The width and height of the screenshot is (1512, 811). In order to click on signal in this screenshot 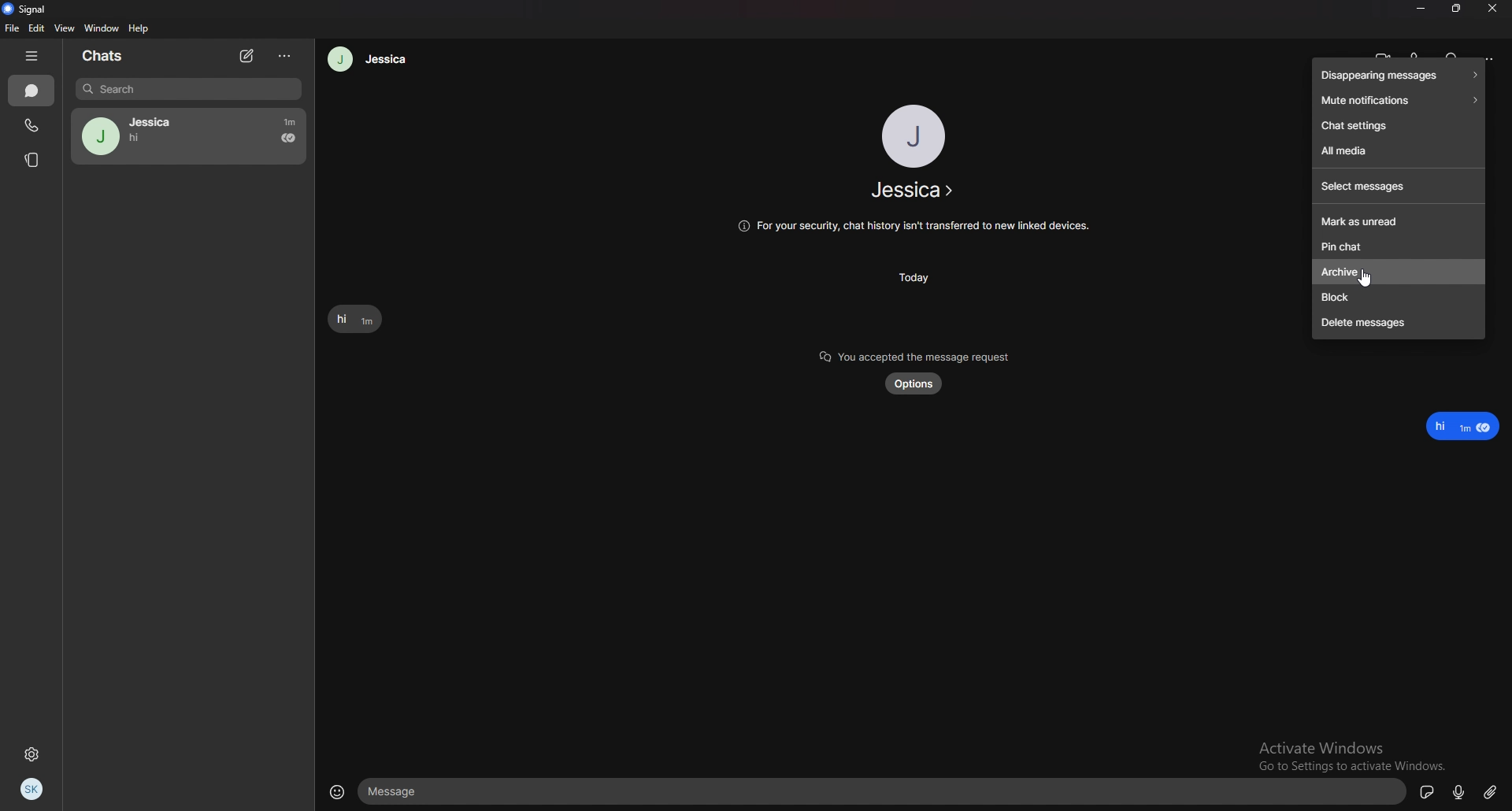, I will do `click(28, 10)`.